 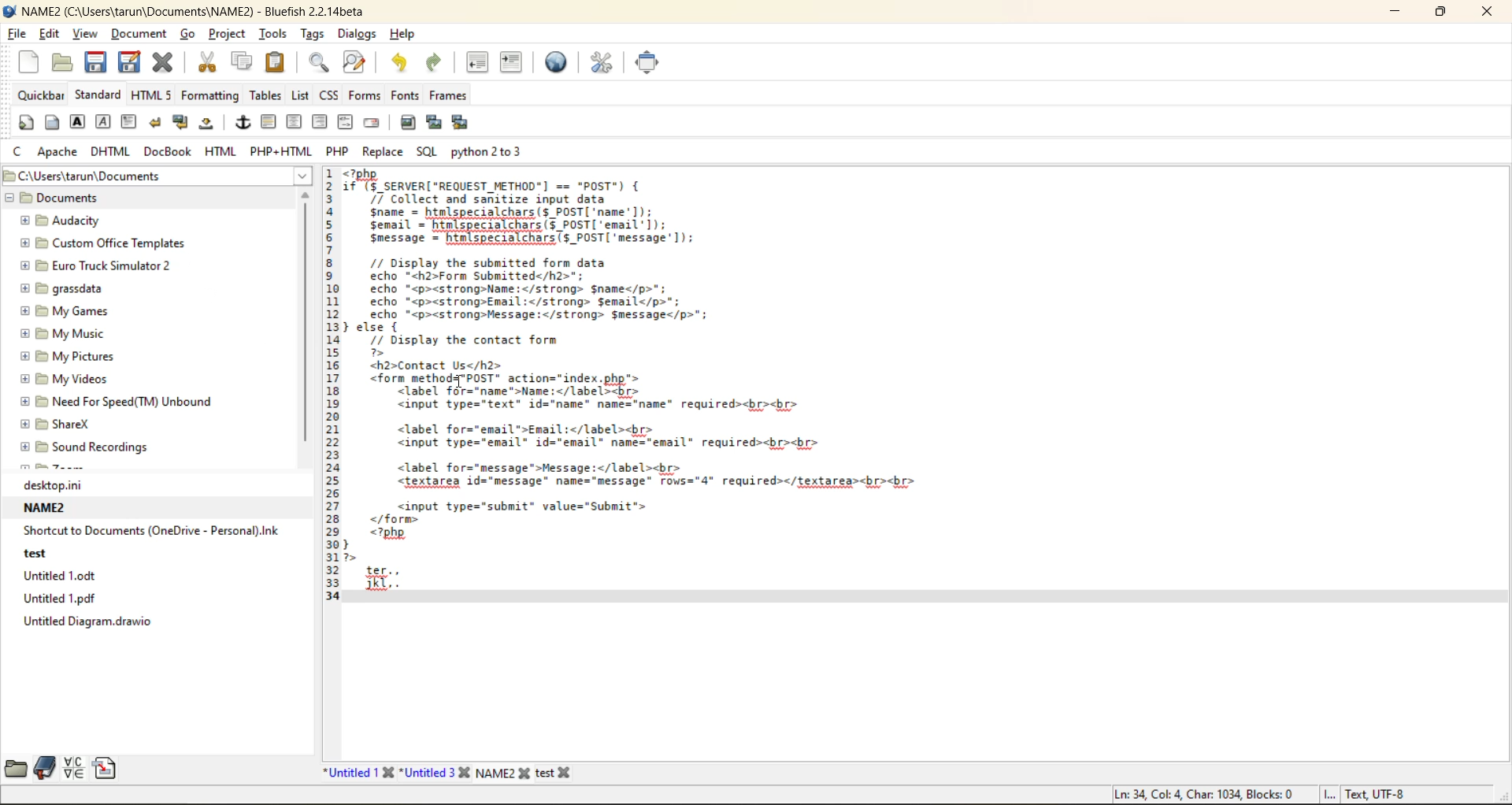 What do you see at coordinates (169, 152) in the screenshot?
I see `docbook` at bounding box center [169, 152].